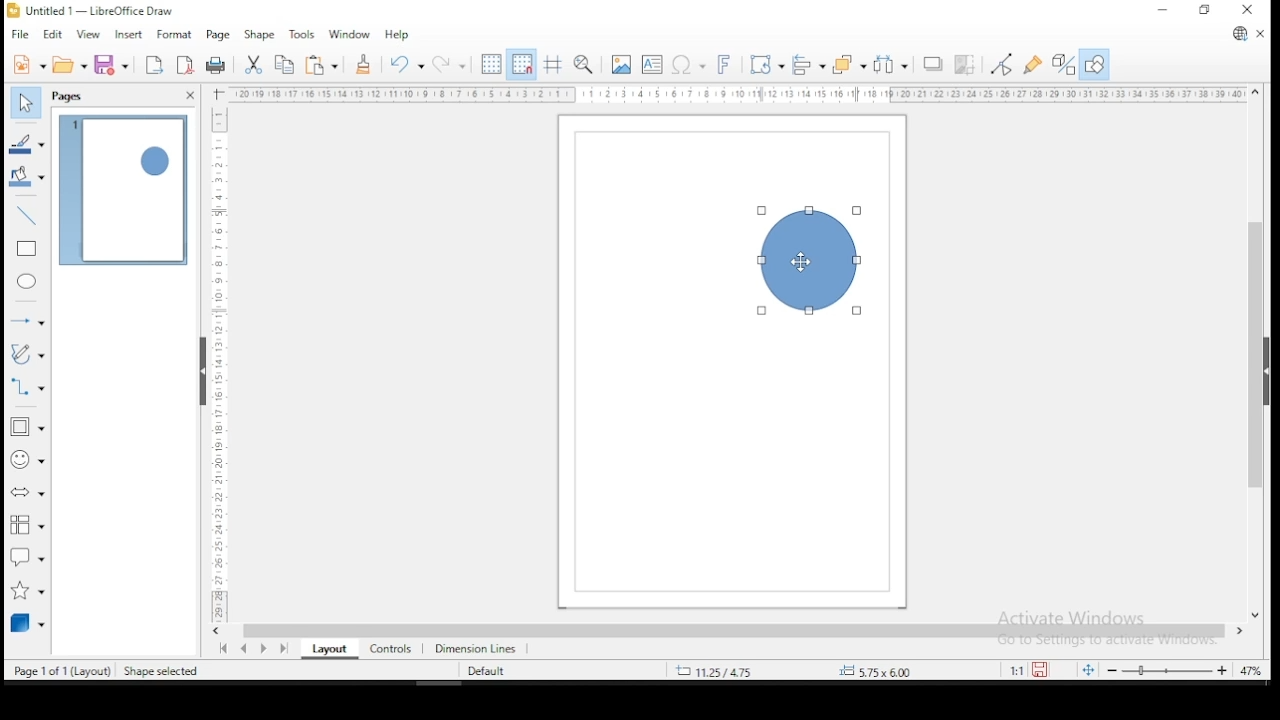 The width and height of the screenshot is (1280, 720). Describe the element at coordinates (849, 64) in the screenshot. I see `arrange` at that location.